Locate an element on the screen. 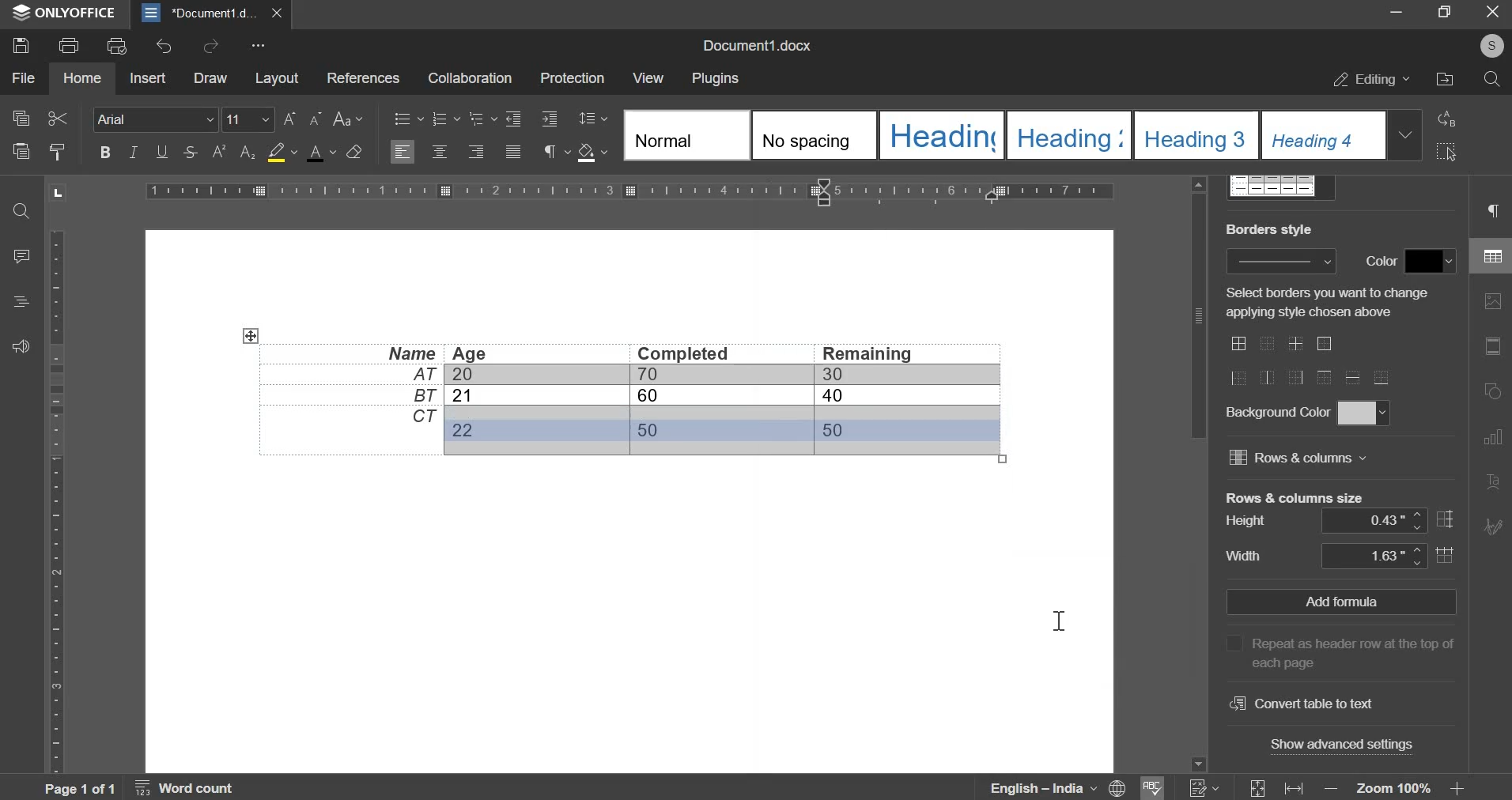 This screenshot has width=1512, height=800. numbering is located at coordinates (440, 119).